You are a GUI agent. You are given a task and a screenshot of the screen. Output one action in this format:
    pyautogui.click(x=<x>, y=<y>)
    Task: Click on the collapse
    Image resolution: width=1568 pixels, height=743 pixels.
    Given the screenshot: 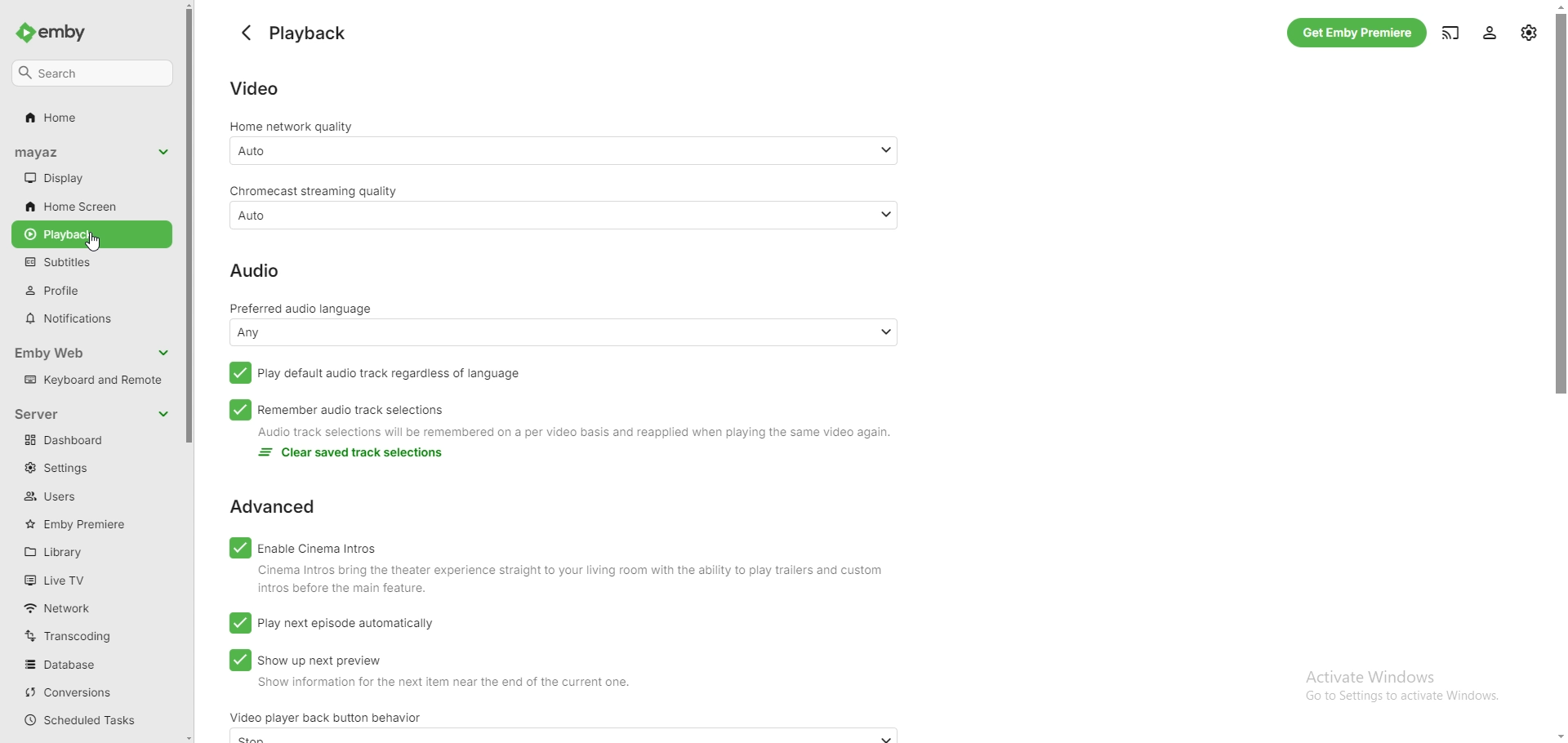 What is the action you would take?
    pyautogui.click(x=164, y=152)
    